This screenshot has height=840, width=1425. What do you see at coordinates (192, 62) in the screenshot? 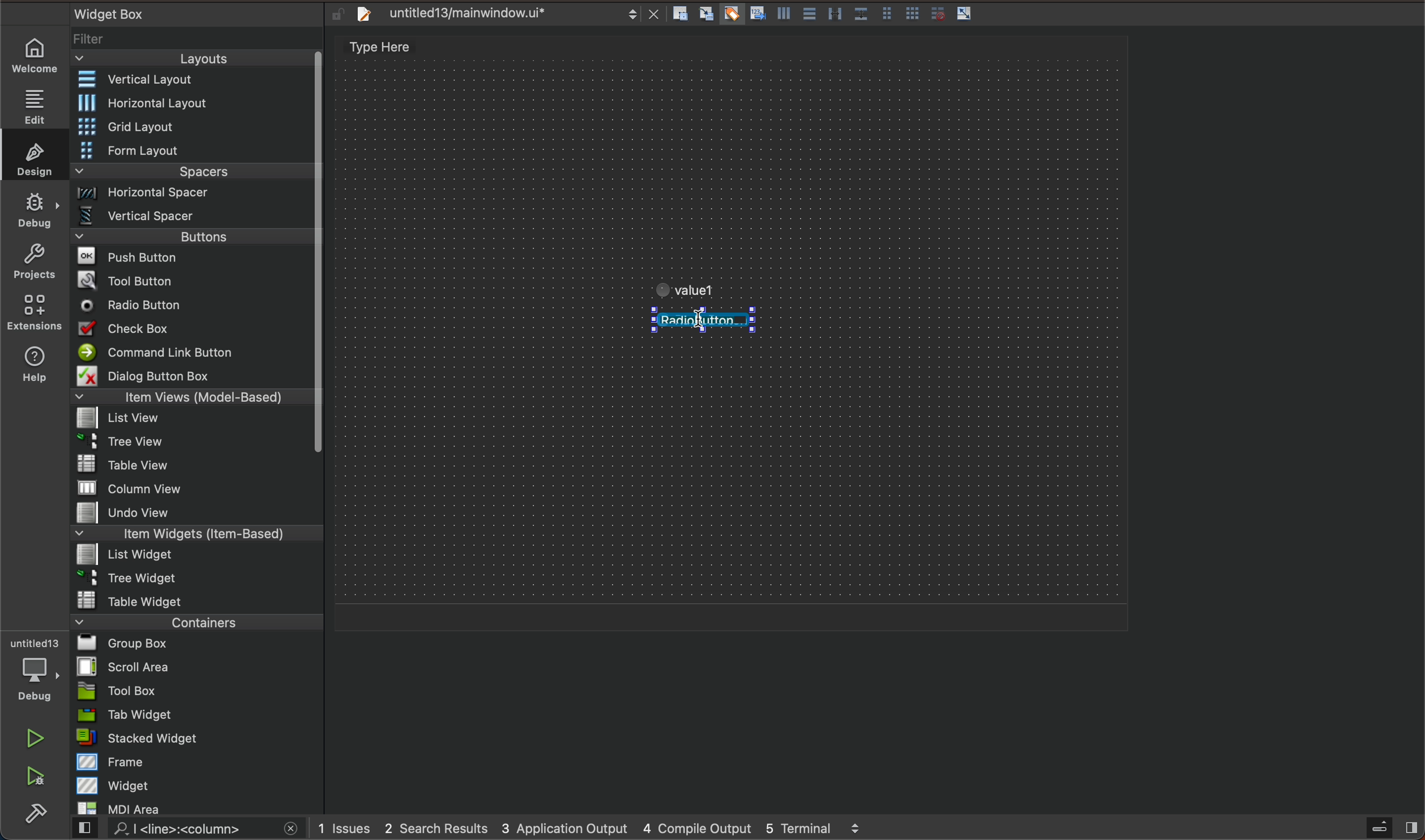
I see `layouts` at bounding box center [192, 62].